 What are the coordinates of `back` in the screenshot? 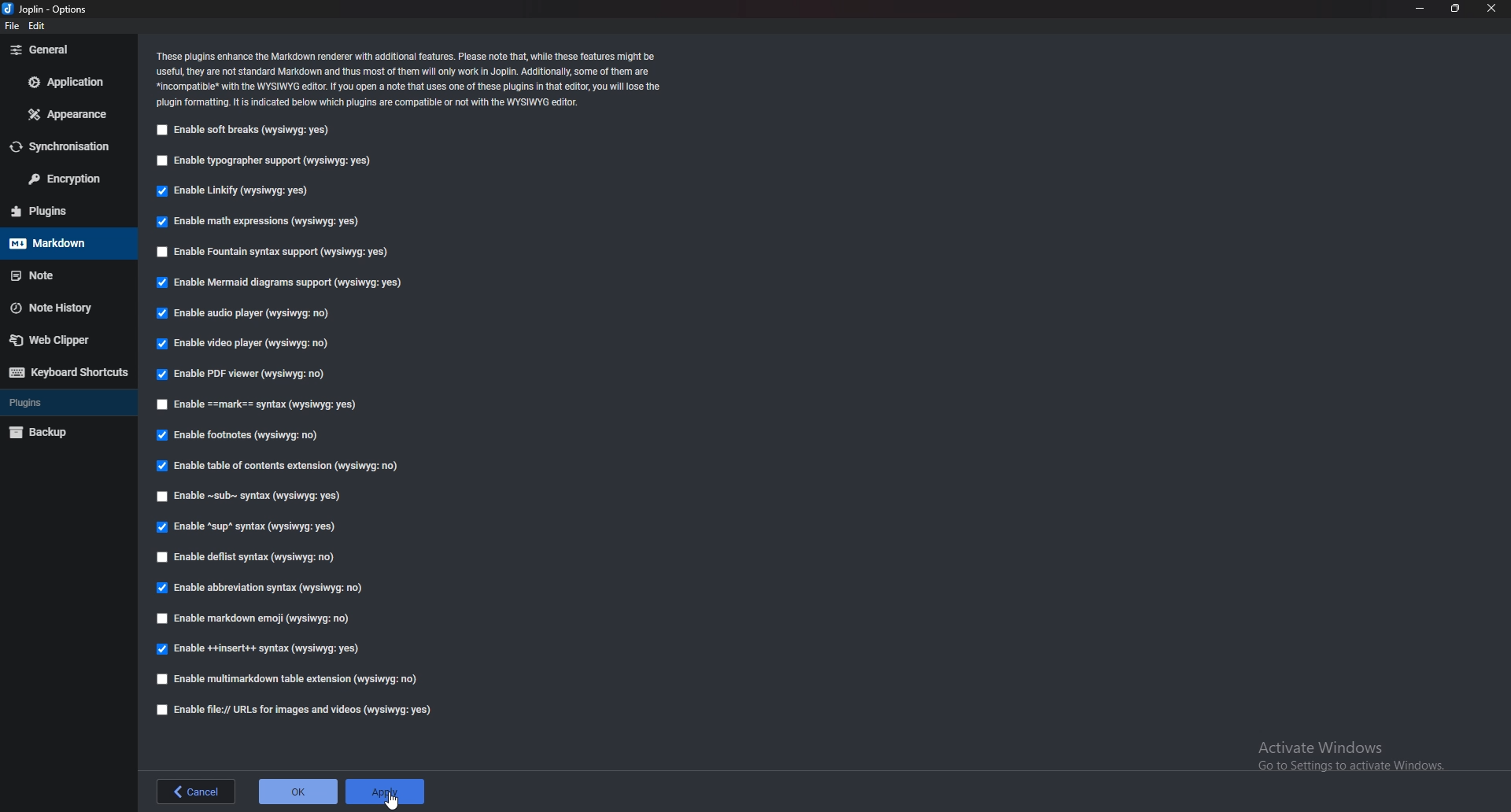 It's located at (199, 791).